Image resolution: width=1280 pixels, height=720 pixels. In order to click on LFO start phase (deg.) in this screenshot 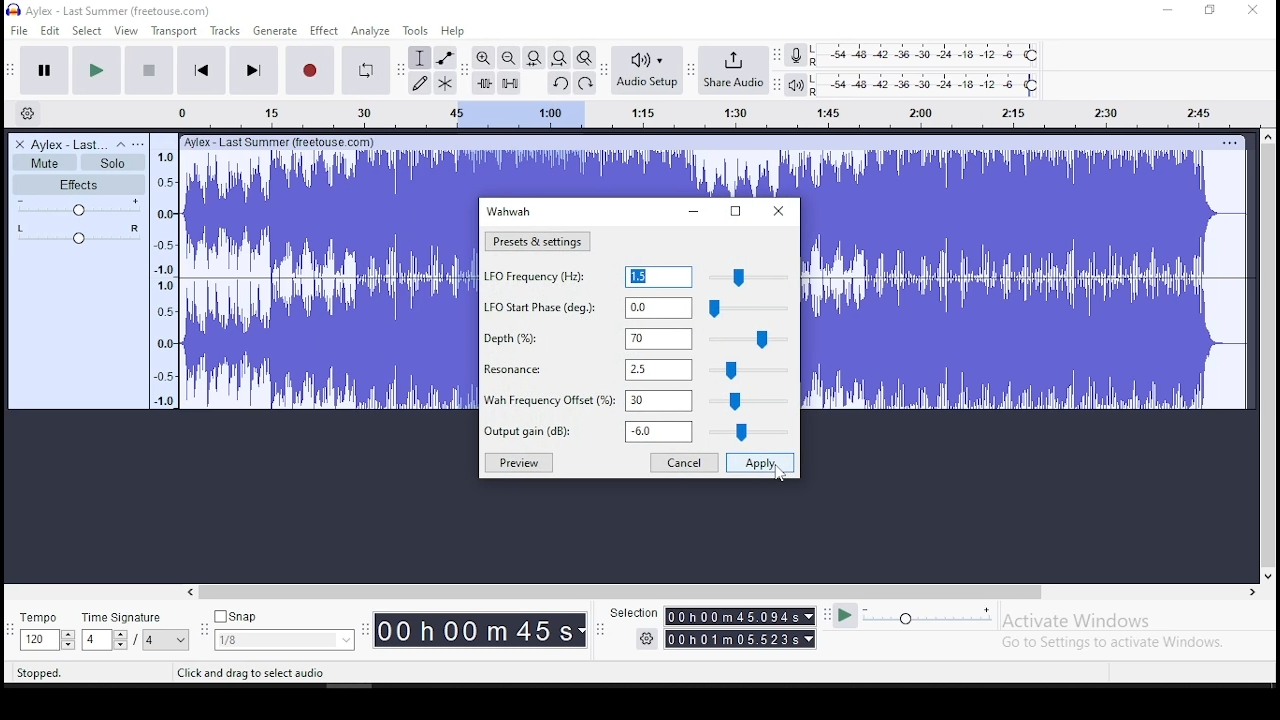, I will do `click(587, 307)`.